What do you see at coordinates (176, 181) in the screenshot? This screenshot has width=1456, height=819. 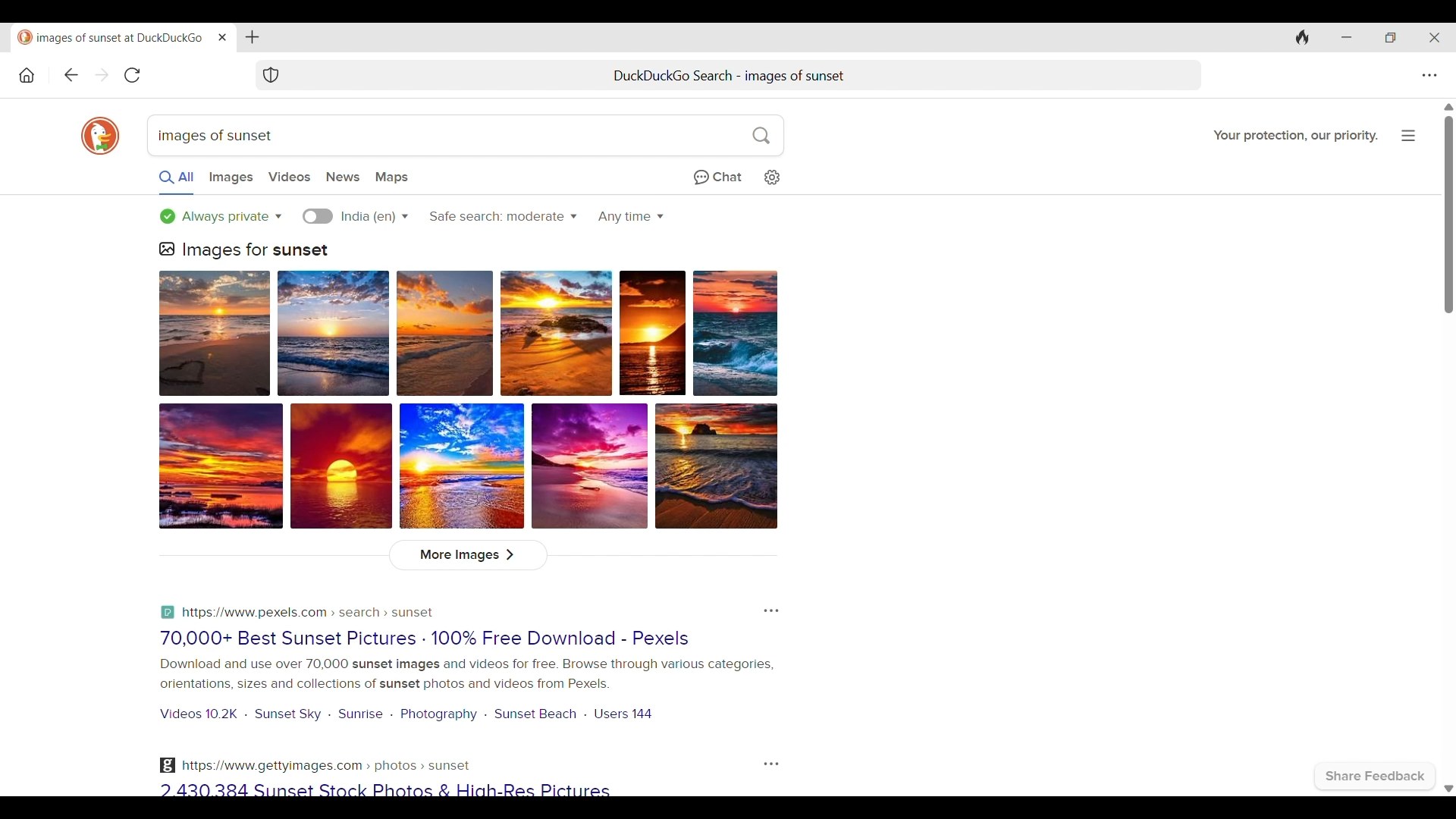 I see `All search results/Selected search` at bounding box center [176, 181].